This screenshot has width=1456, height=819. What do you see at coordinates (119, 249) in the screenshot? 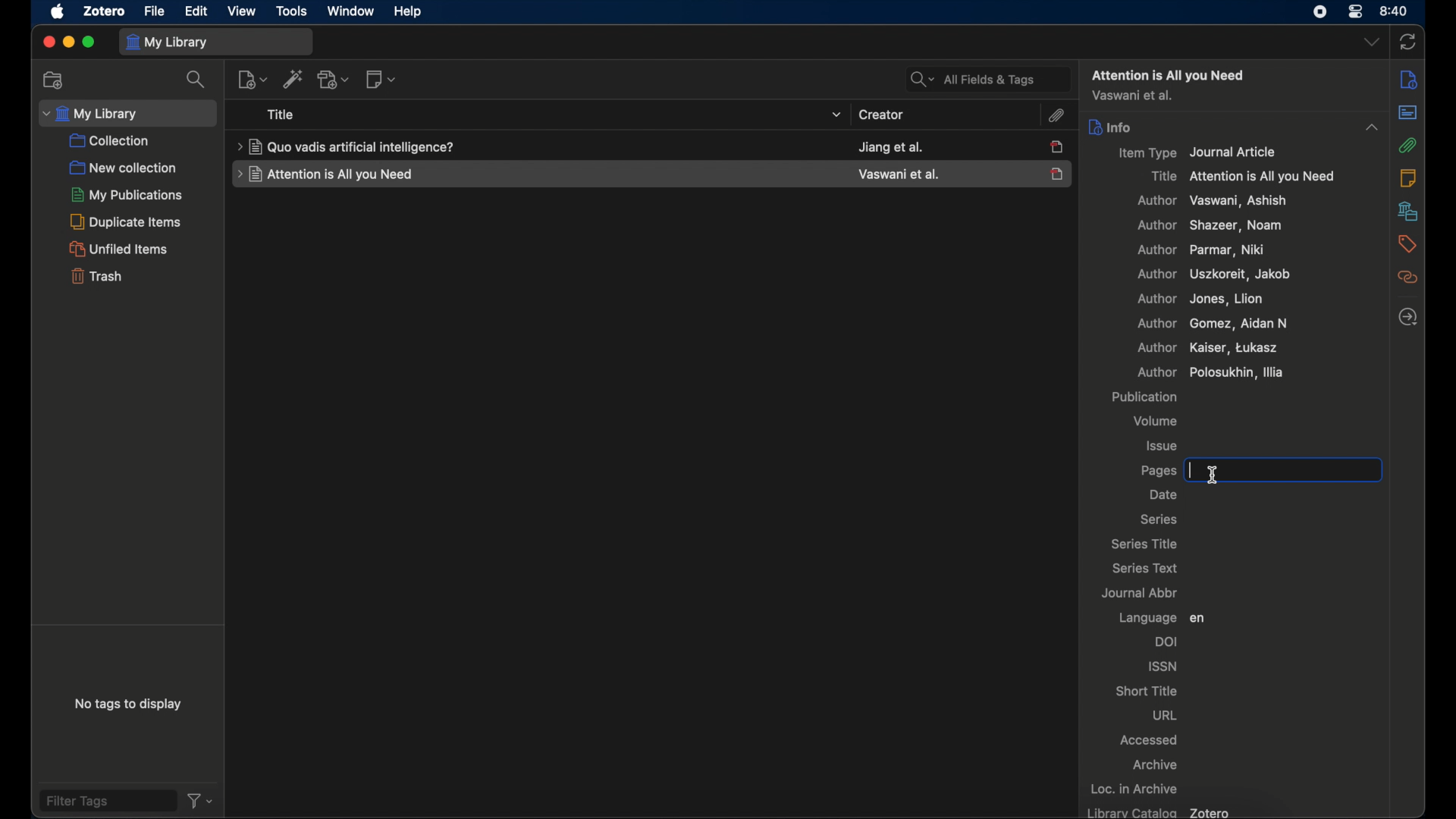
I see `unified items` at bounding box center [119, 249].